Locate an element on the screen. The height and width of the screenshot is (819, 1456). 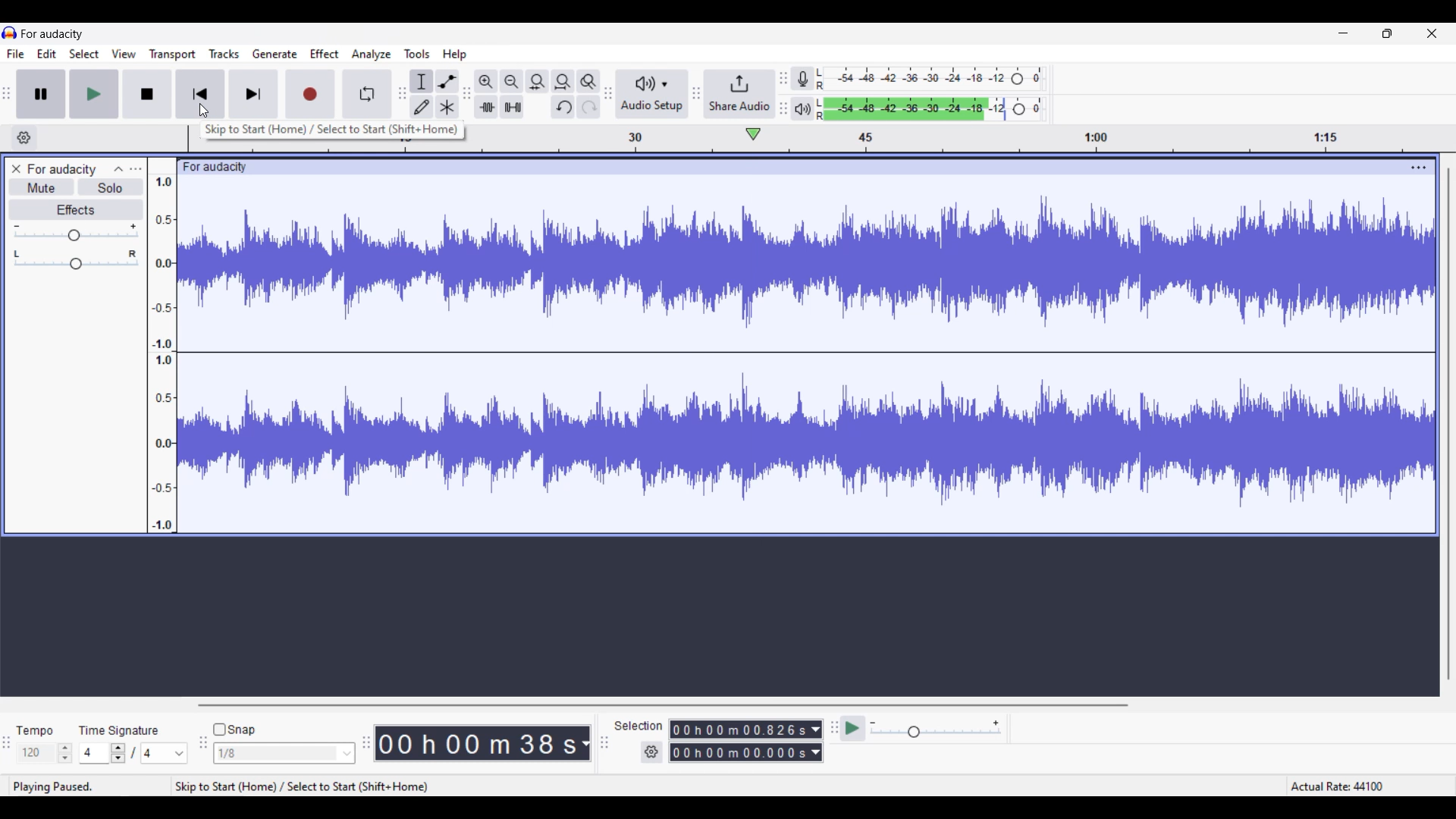
Tempo settings is located at coordinates (47, 752).